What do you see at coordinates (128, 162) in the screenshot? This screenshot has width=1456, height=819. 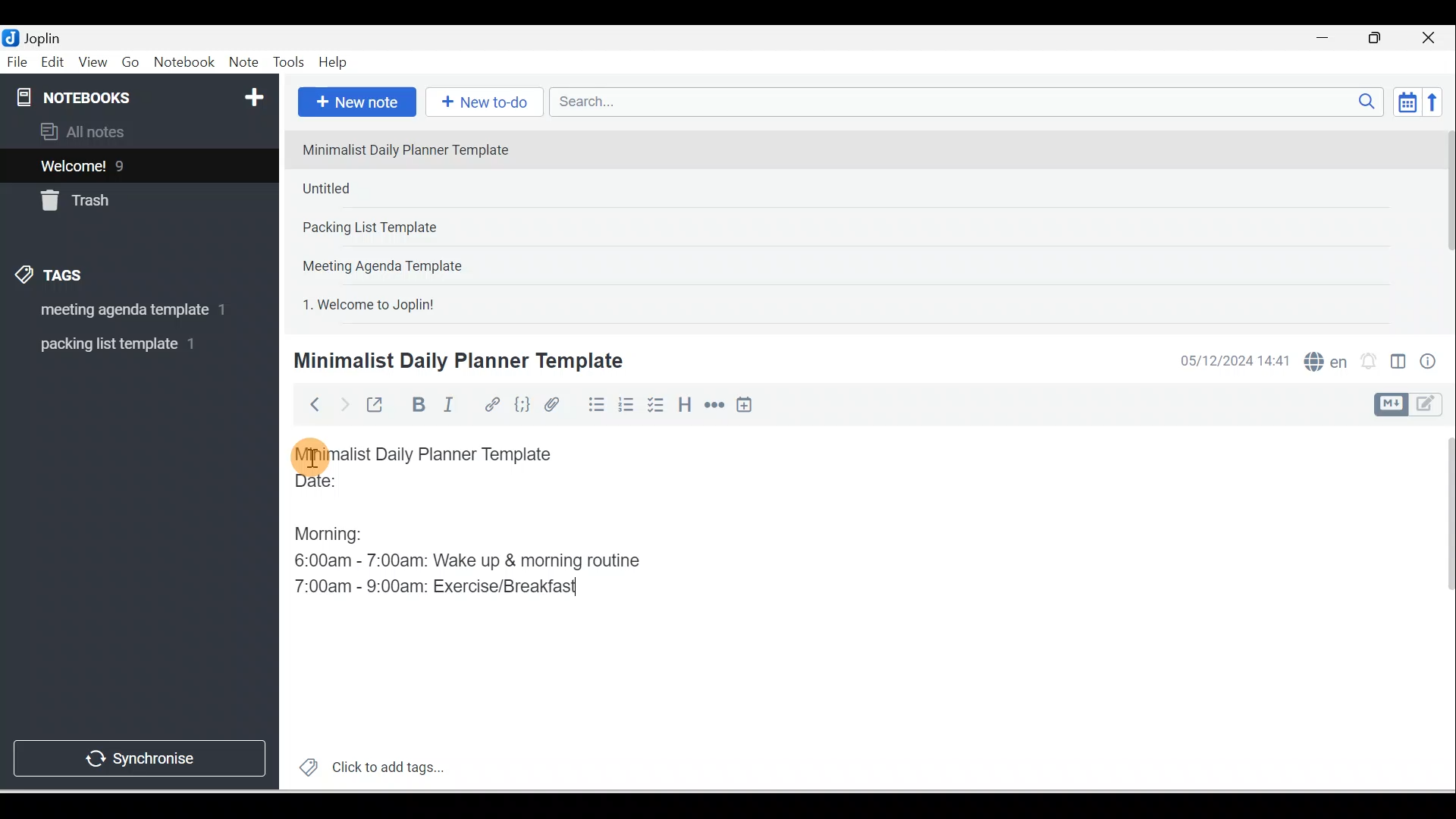 I see `Notes` at bounding box center [128, 162].